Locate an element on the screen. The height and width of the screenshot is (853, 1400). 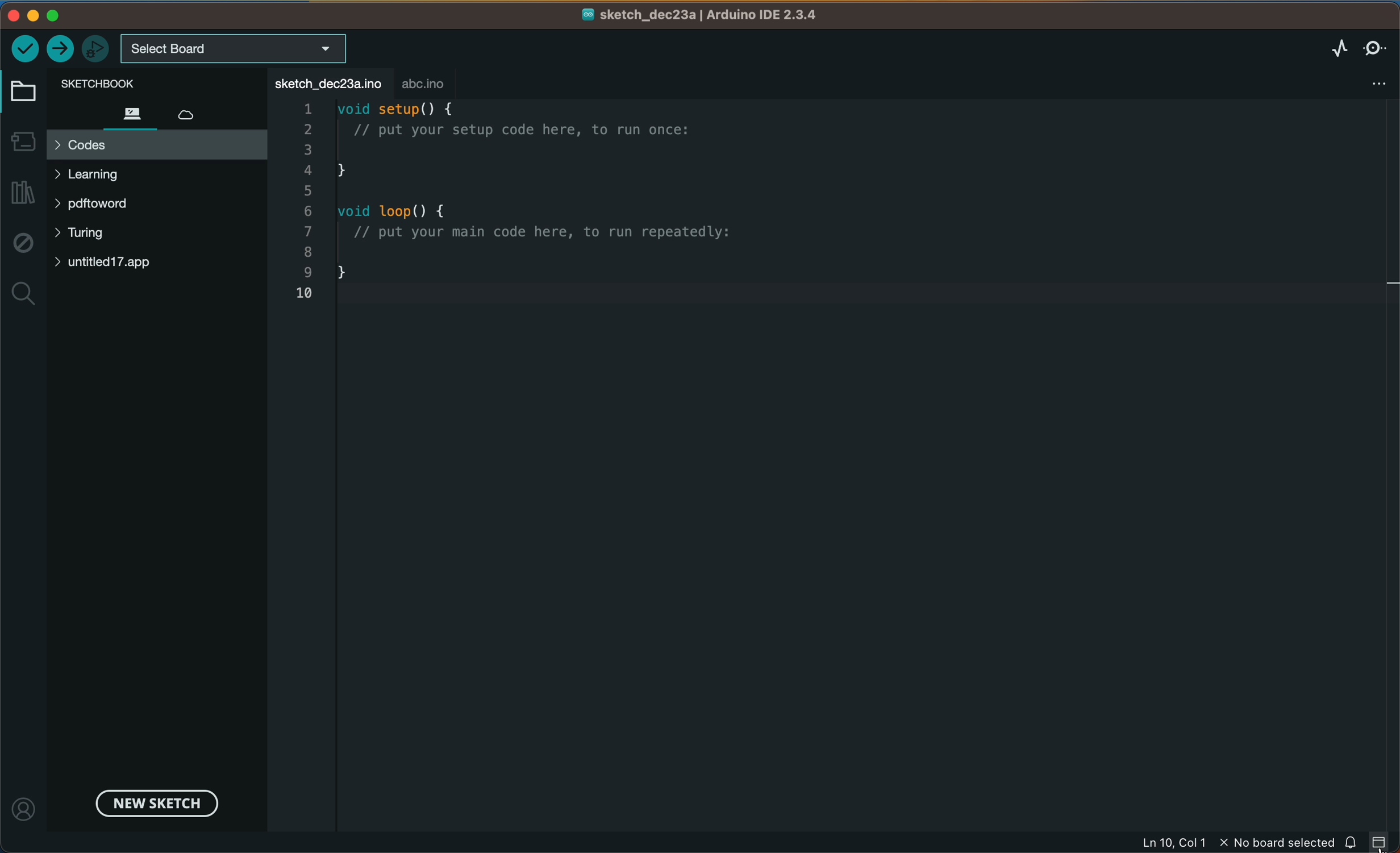
folder is located at coordinates (20, 89).